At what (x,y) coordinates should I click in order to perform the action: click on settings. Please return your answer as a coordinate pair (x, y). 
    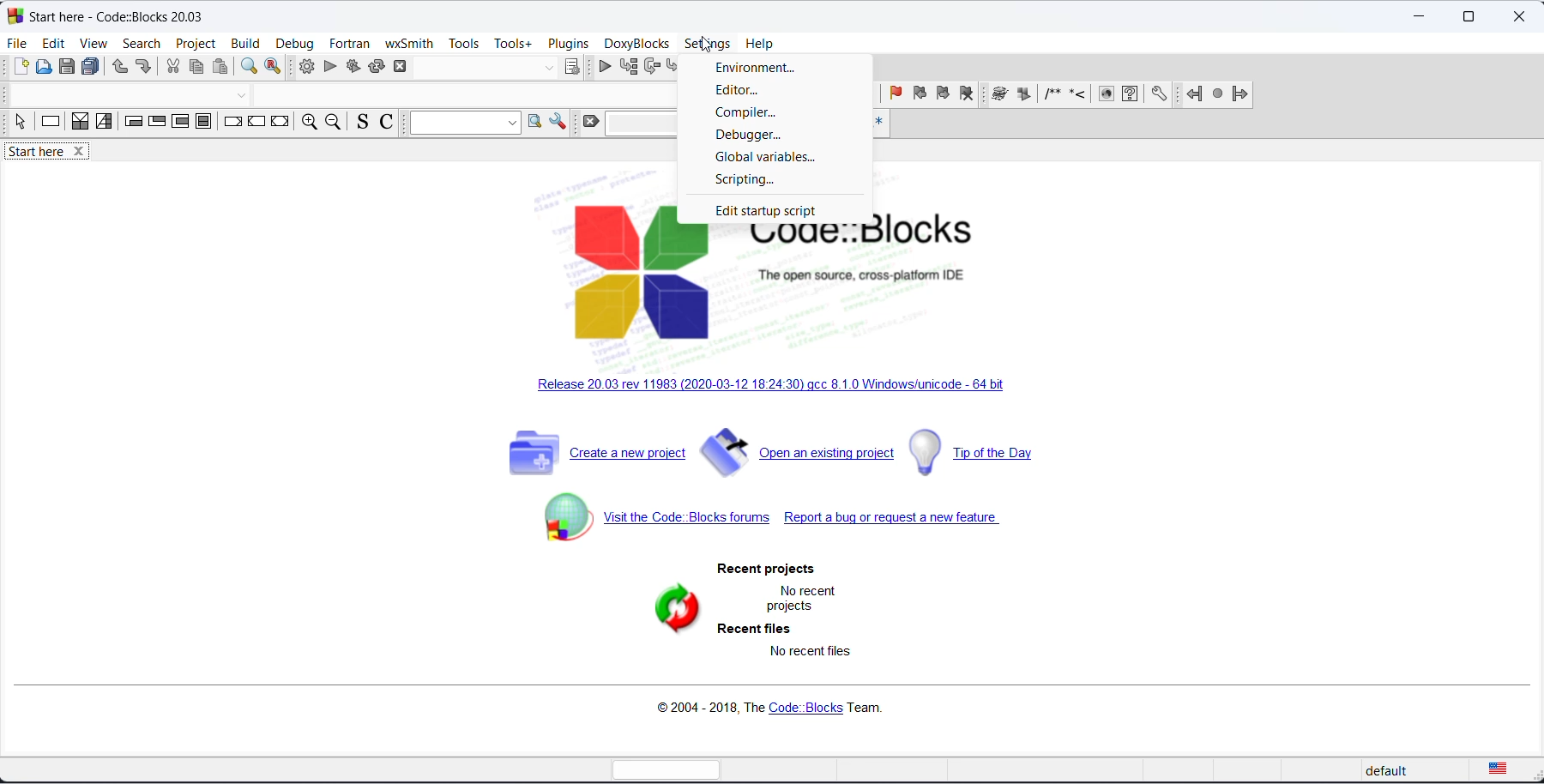
    Looking at the image, I should click on (707, 45).